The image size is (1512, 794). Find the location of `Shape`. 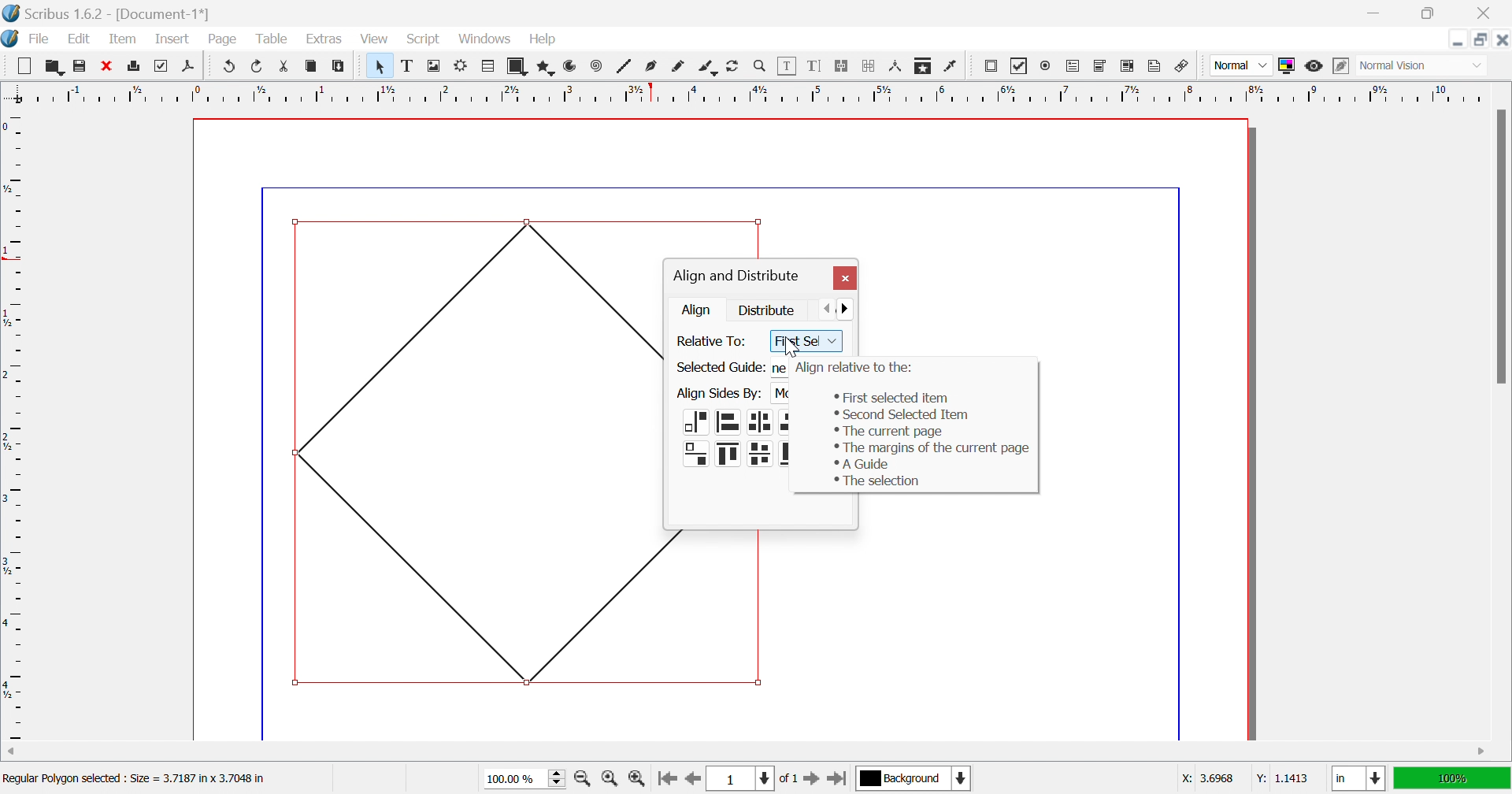

Shape is located at coordinates (475, 448).